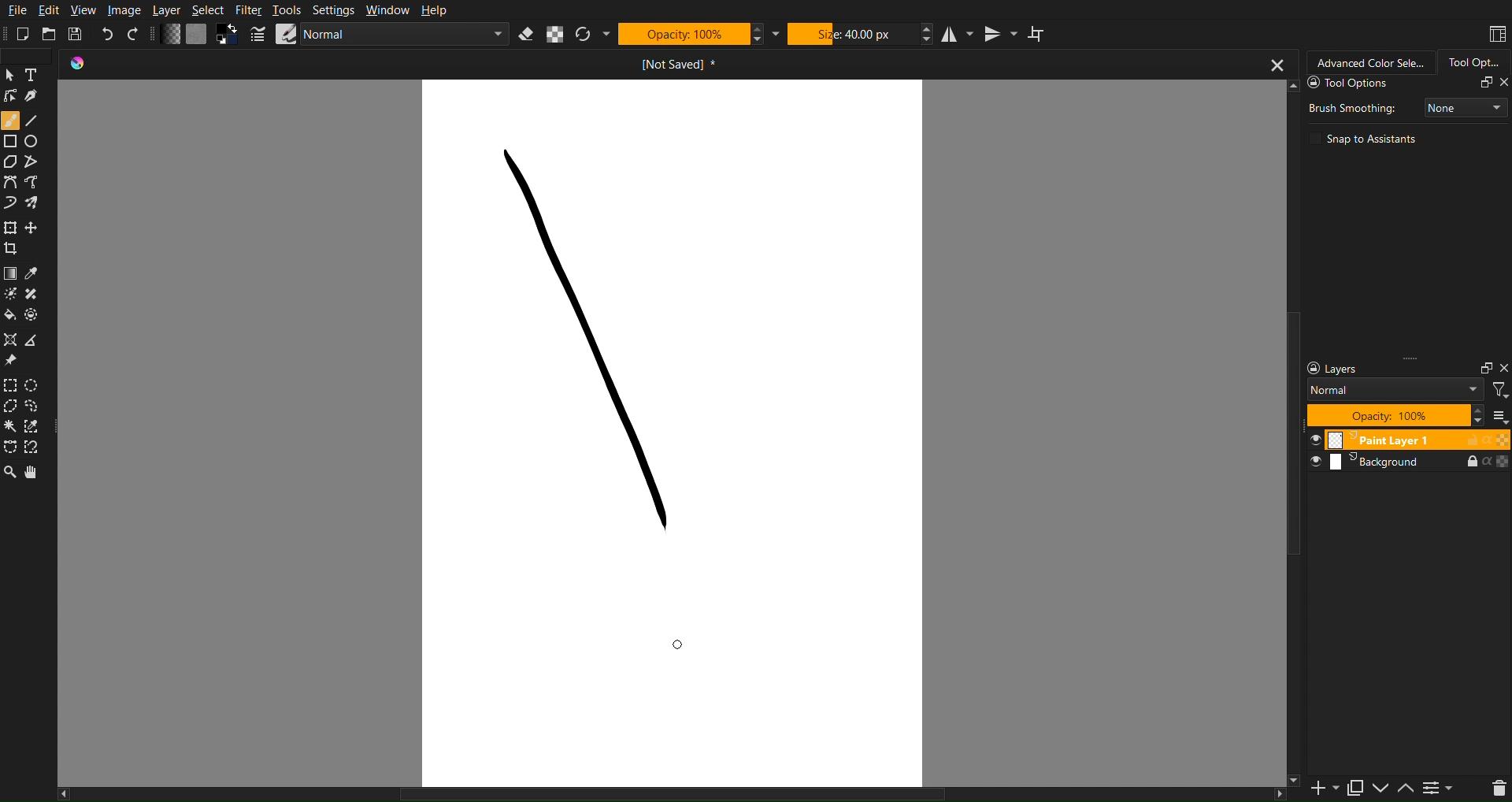 The image size is (1512, 802). Describe the element at coordinates (678, 64) in the screenshot. I see `Current Document` at that location.